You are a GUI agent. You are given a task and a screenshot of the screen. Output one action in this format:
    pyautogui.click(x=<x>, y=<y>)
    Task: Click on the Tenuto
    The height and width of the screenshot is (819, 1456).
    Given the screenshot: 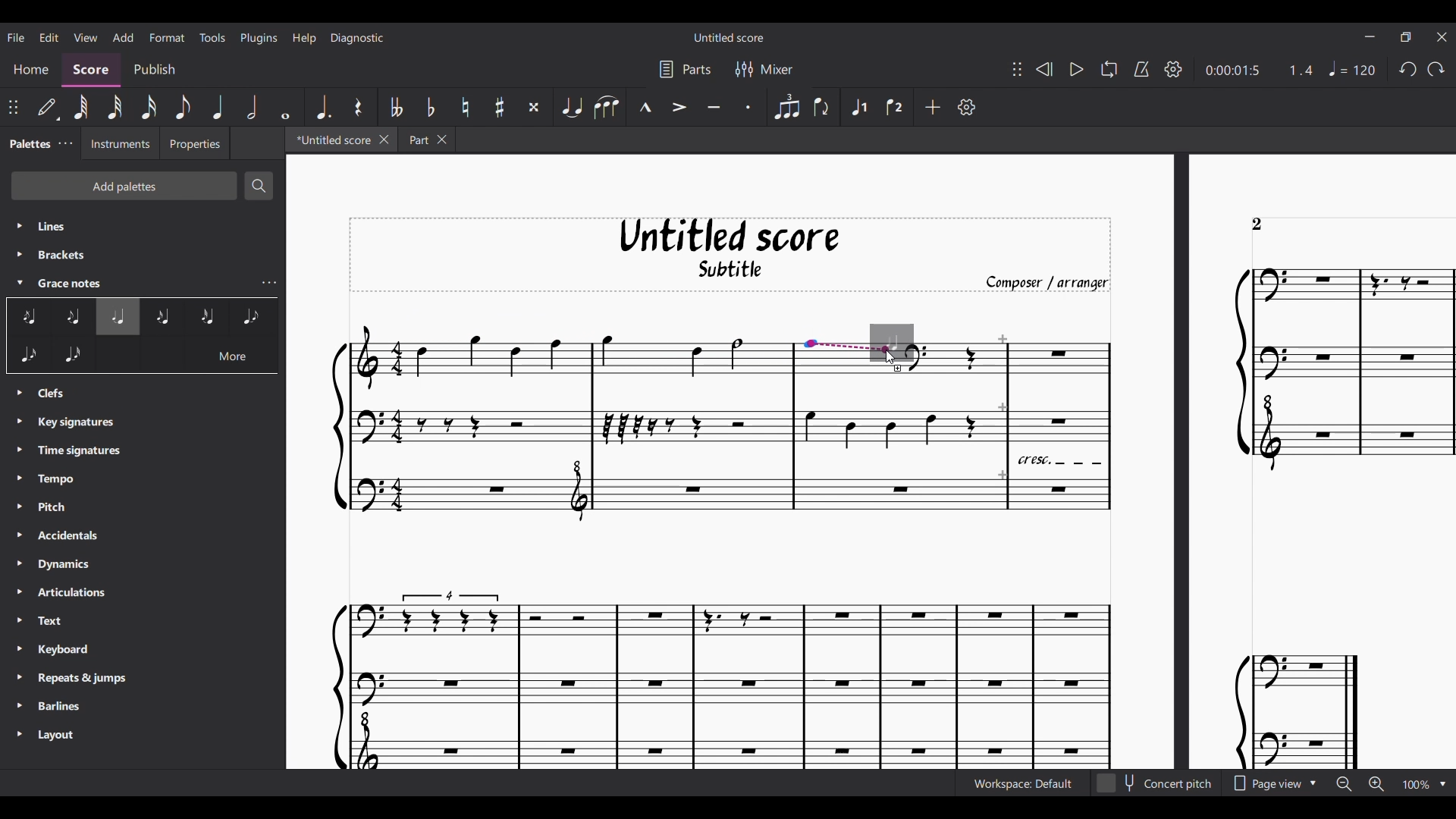 What is the action you would take?
    pyautogui.click(x=714, y=106)
    